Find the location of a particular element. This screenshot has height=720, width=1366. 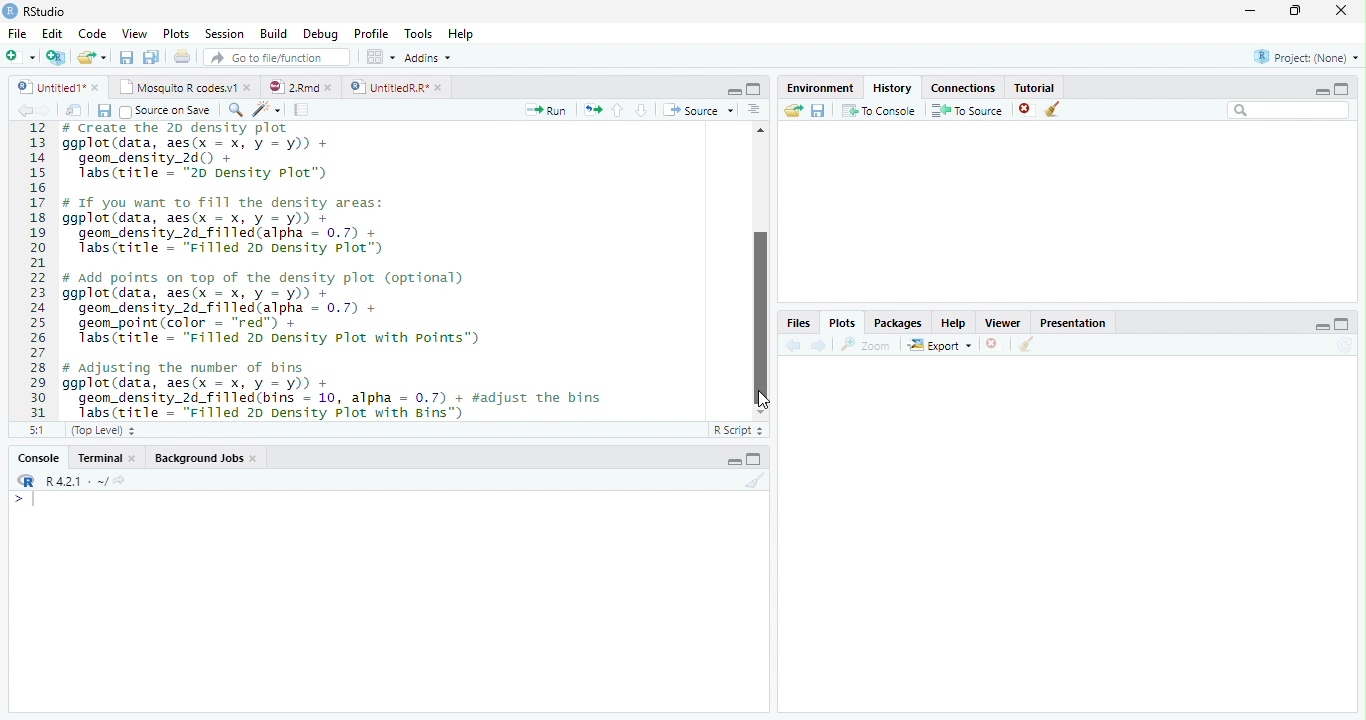

show in window is located at coordinates (75, 111).